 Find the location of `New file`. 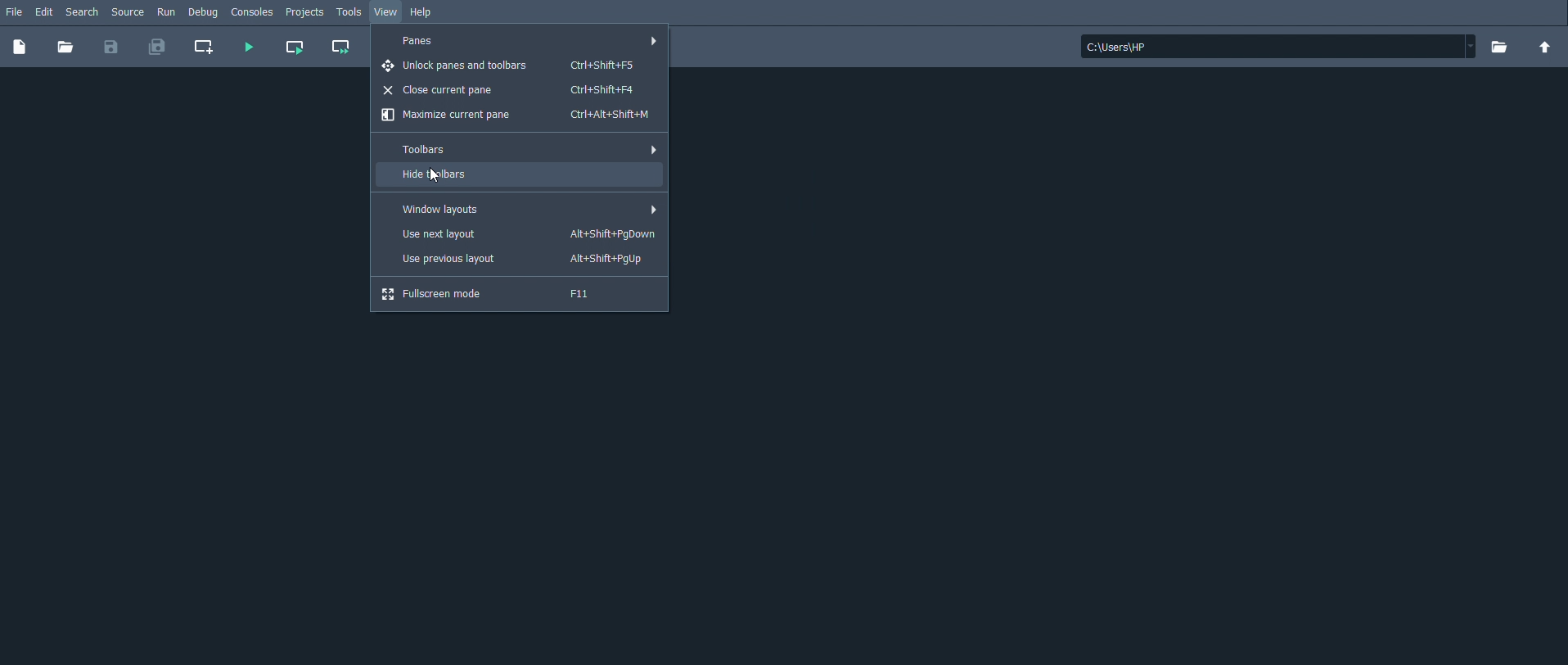

New file is located at coordinates (19, 47).